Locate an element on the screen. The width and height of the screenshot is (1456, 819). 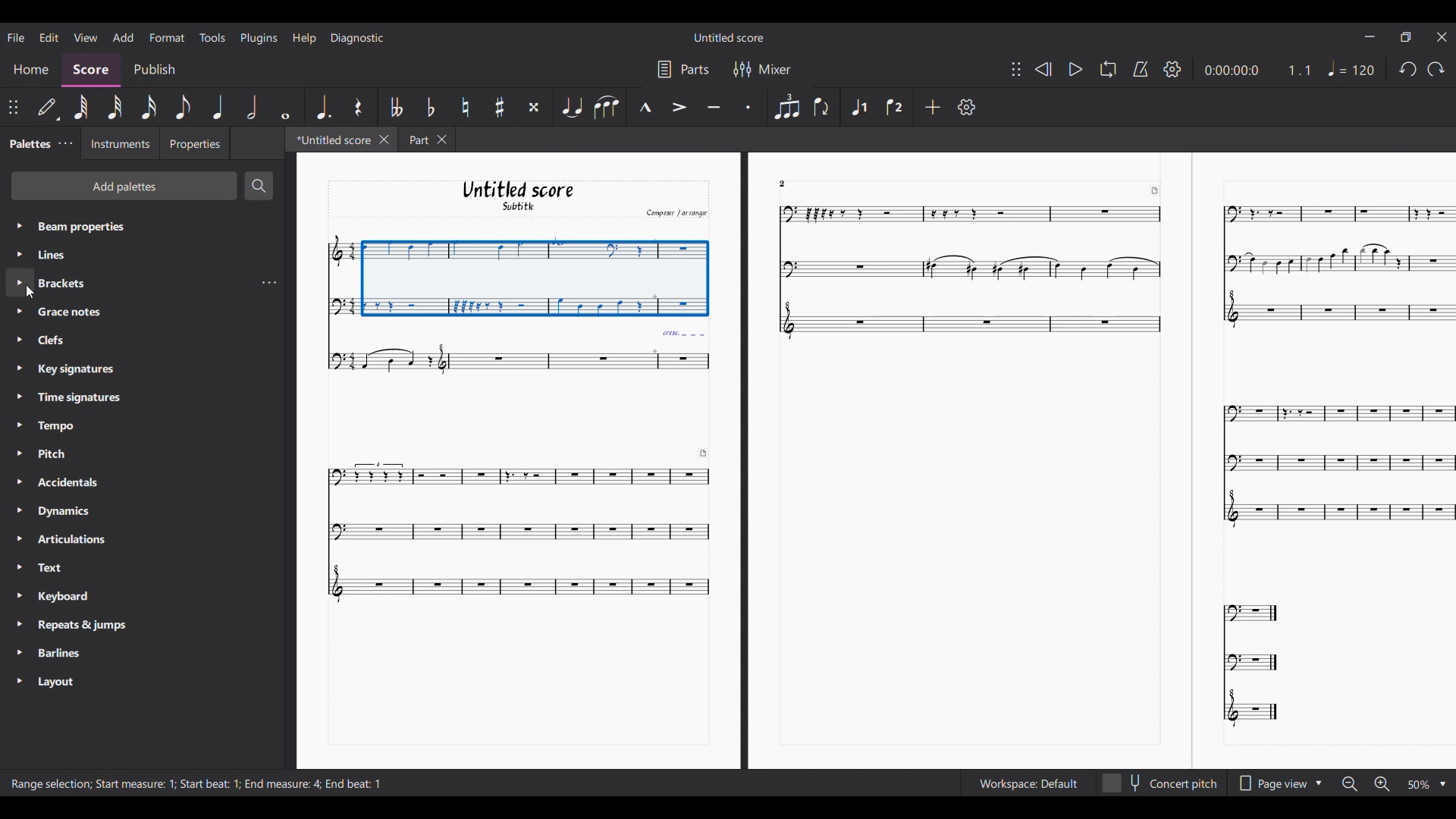
 is located at coordinates (1337, 511).